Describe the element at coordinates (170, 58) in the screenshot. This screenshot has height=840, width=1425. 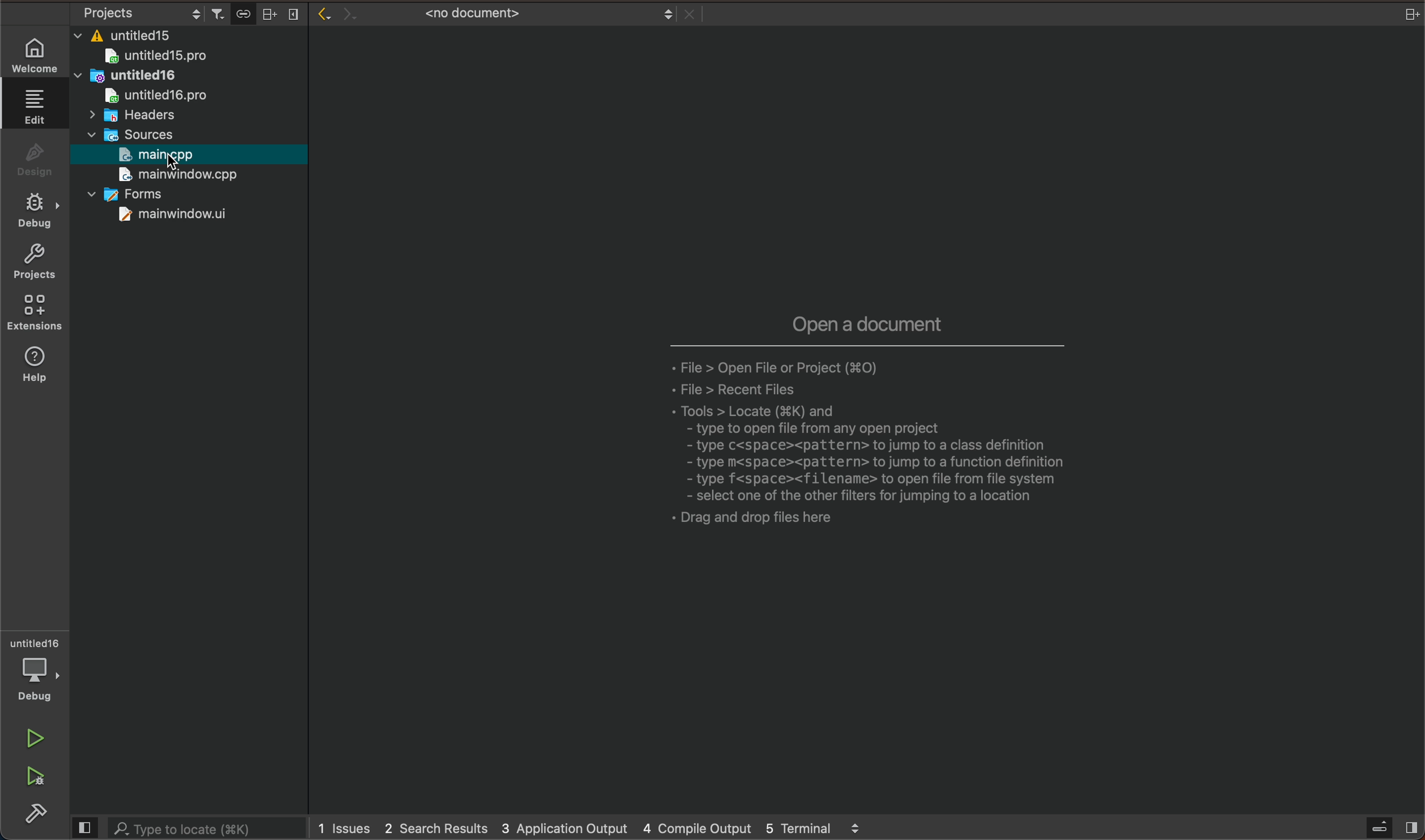
I see `untitled 15` at that location.